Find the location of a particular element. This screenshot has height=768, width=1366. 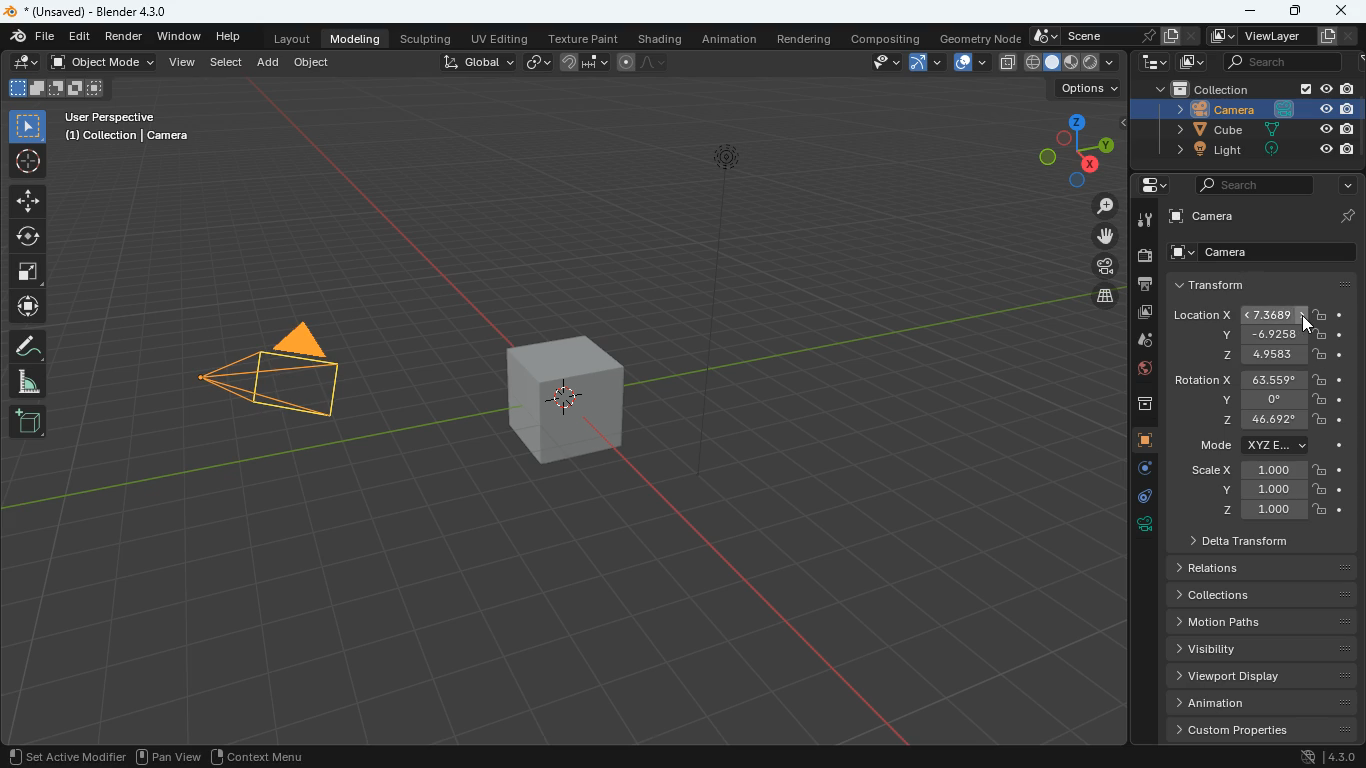

layout is located at coordinates (288, 38).